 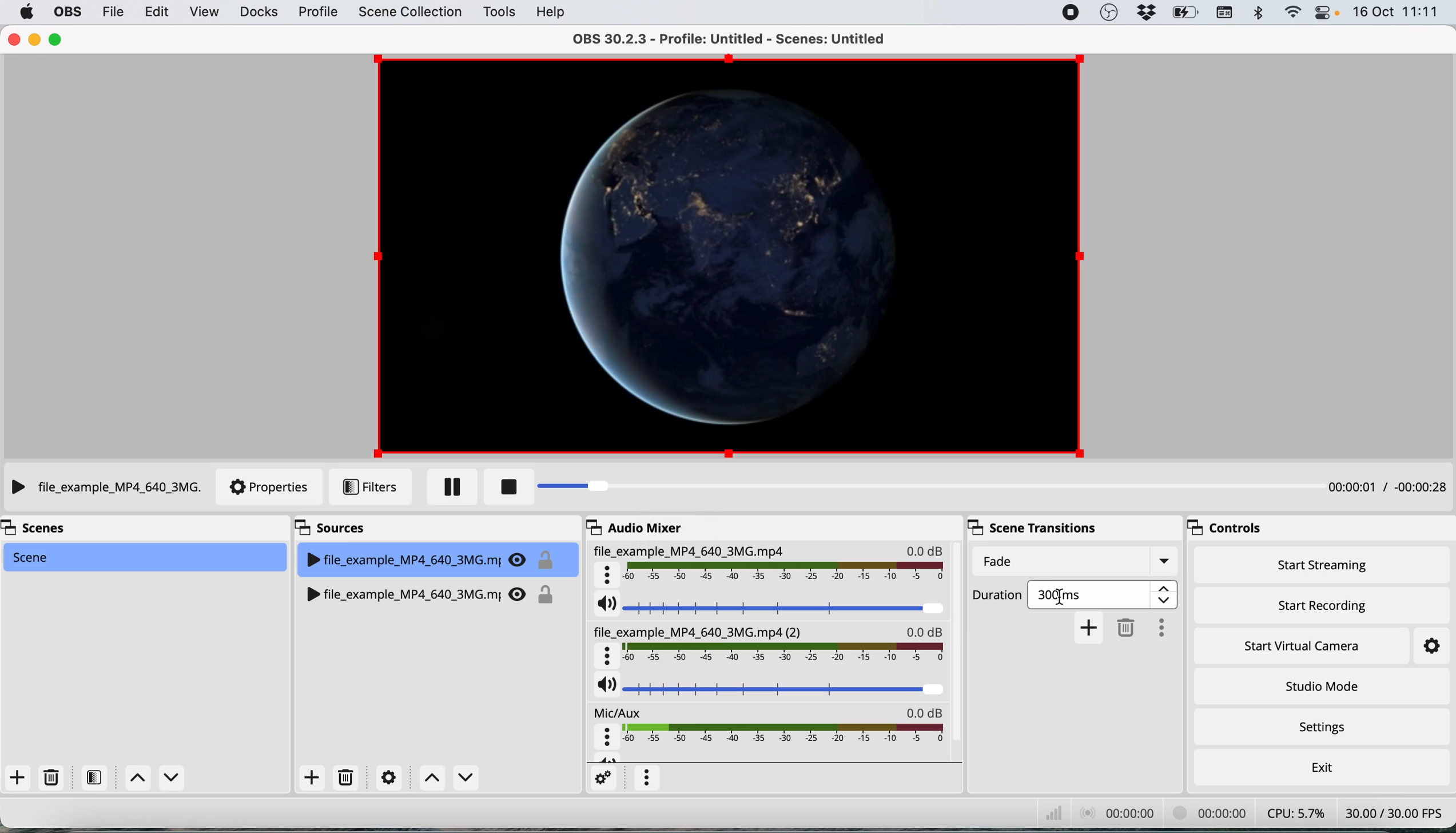 I want to click on source, so click(x=435, y=591).